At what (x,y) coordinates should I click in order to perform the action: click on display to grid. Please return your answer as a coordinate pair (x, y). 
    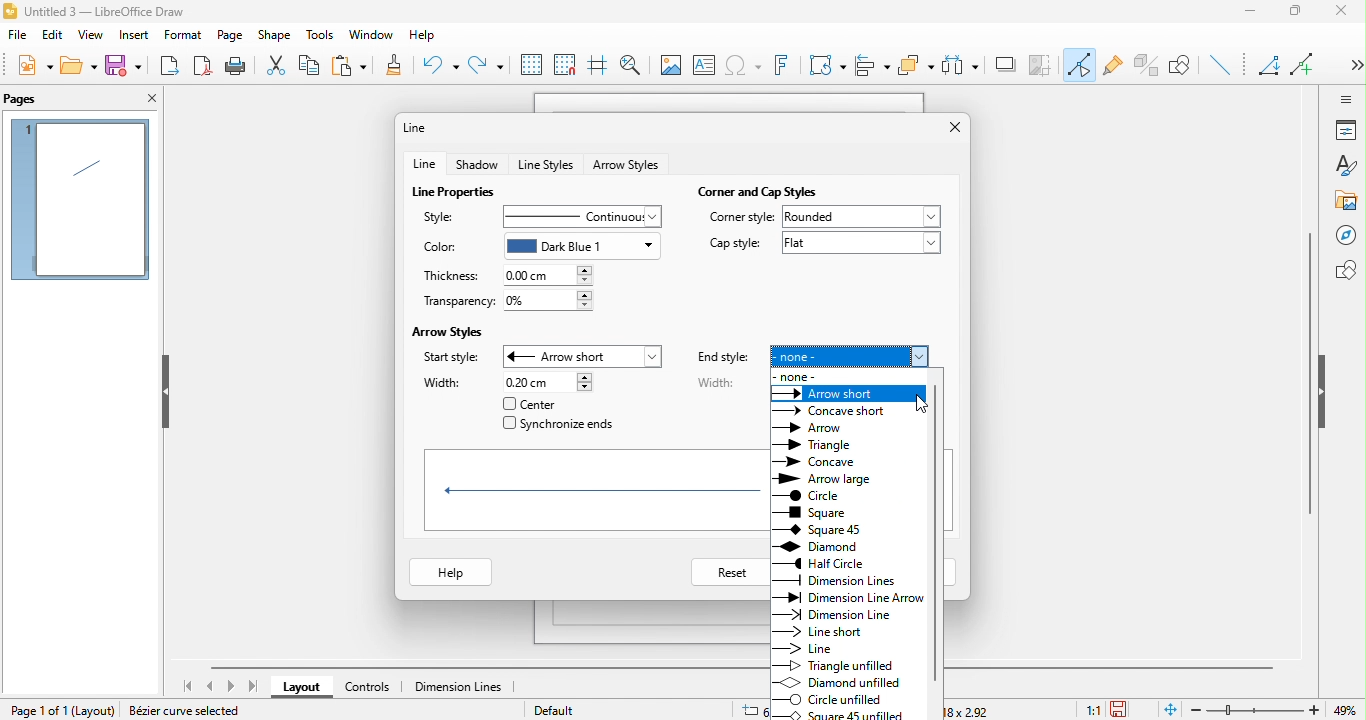
    Looking at the image, I should click on (530, 65).